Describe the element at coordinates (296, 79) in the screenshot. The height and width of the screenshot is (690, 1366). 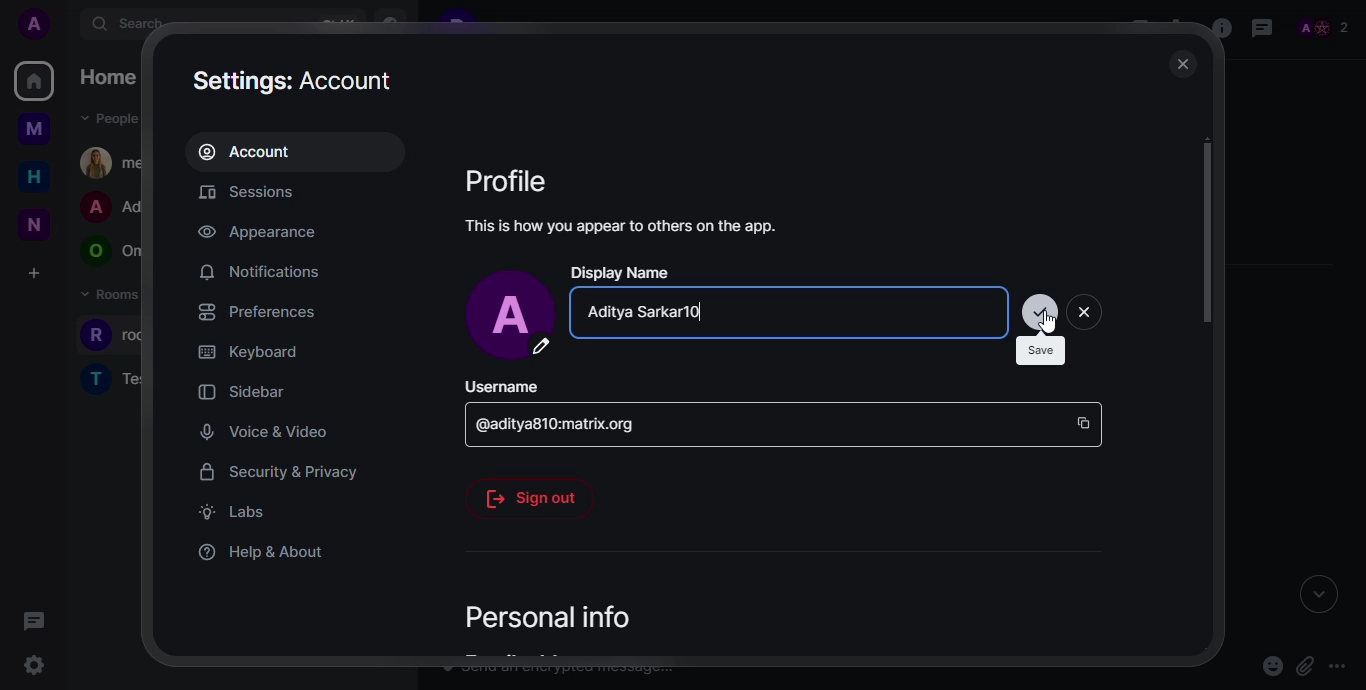
I see `settings` at that location.